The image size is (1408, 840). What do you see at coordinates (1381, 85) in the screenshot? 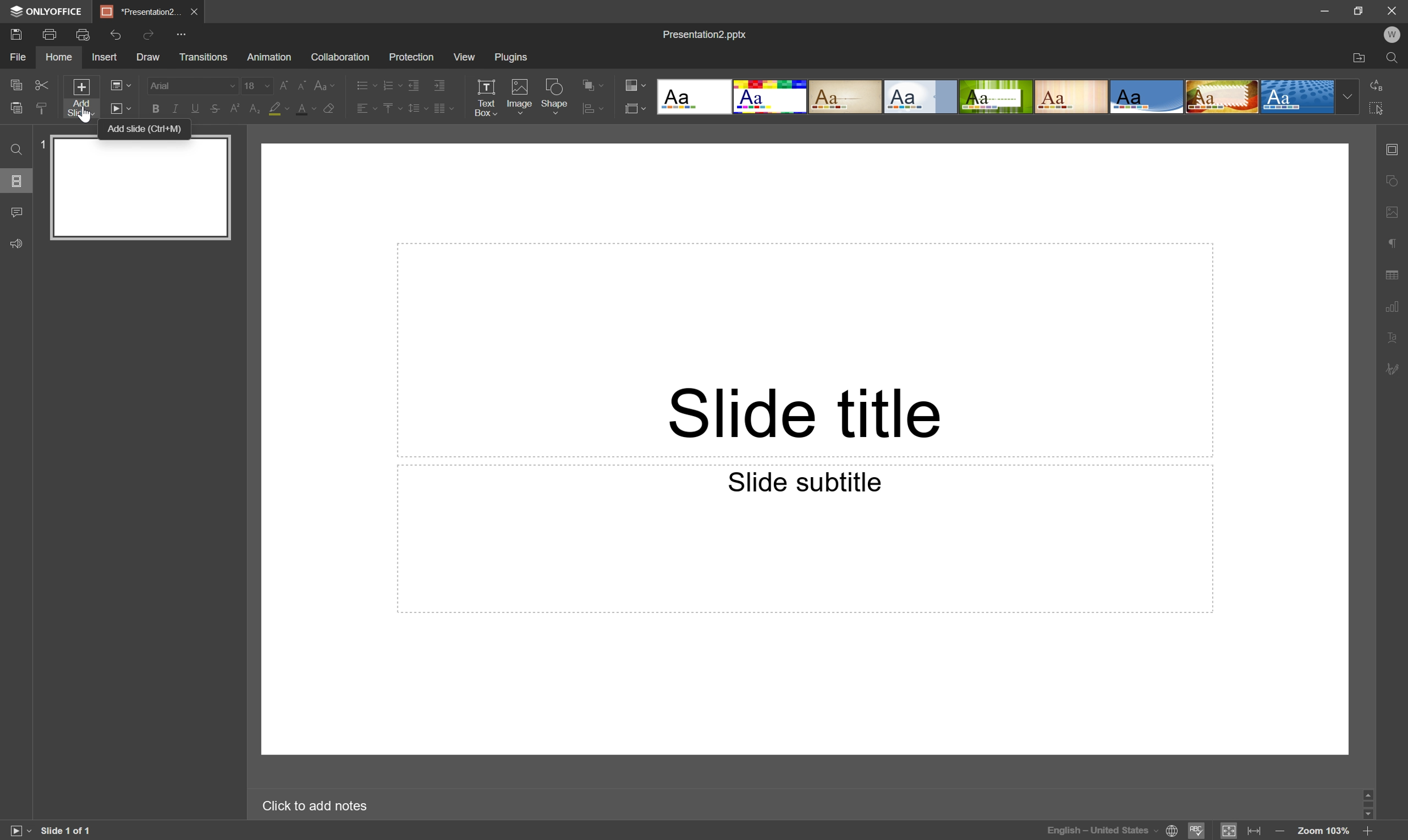
I see `Replace` at bounding box center [1381, 85].